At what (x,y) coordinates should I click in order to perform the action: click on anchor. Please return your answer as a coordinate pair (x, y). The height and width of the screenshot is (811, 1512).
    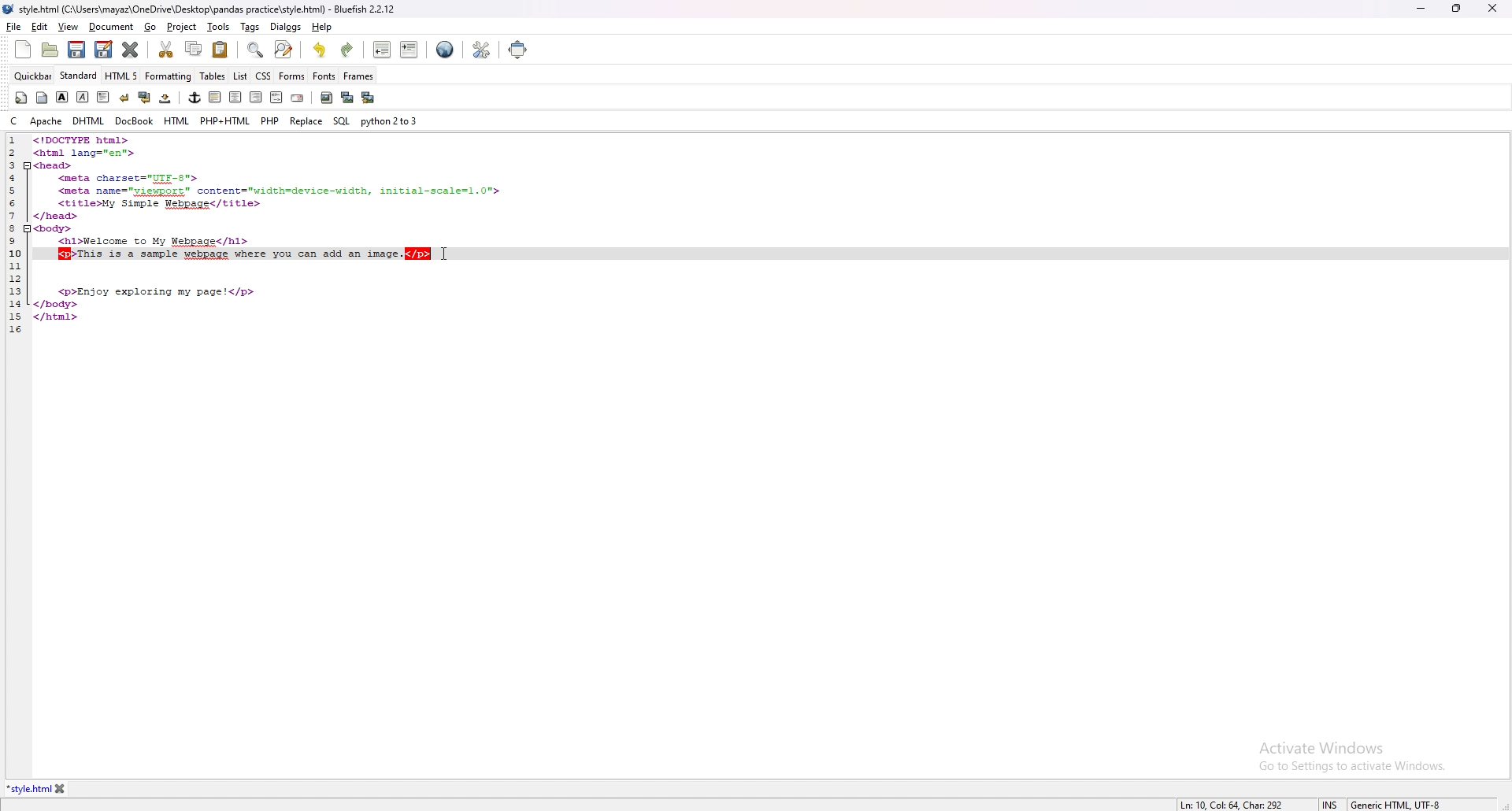
    Looking at the image, I should click on (195, 98).